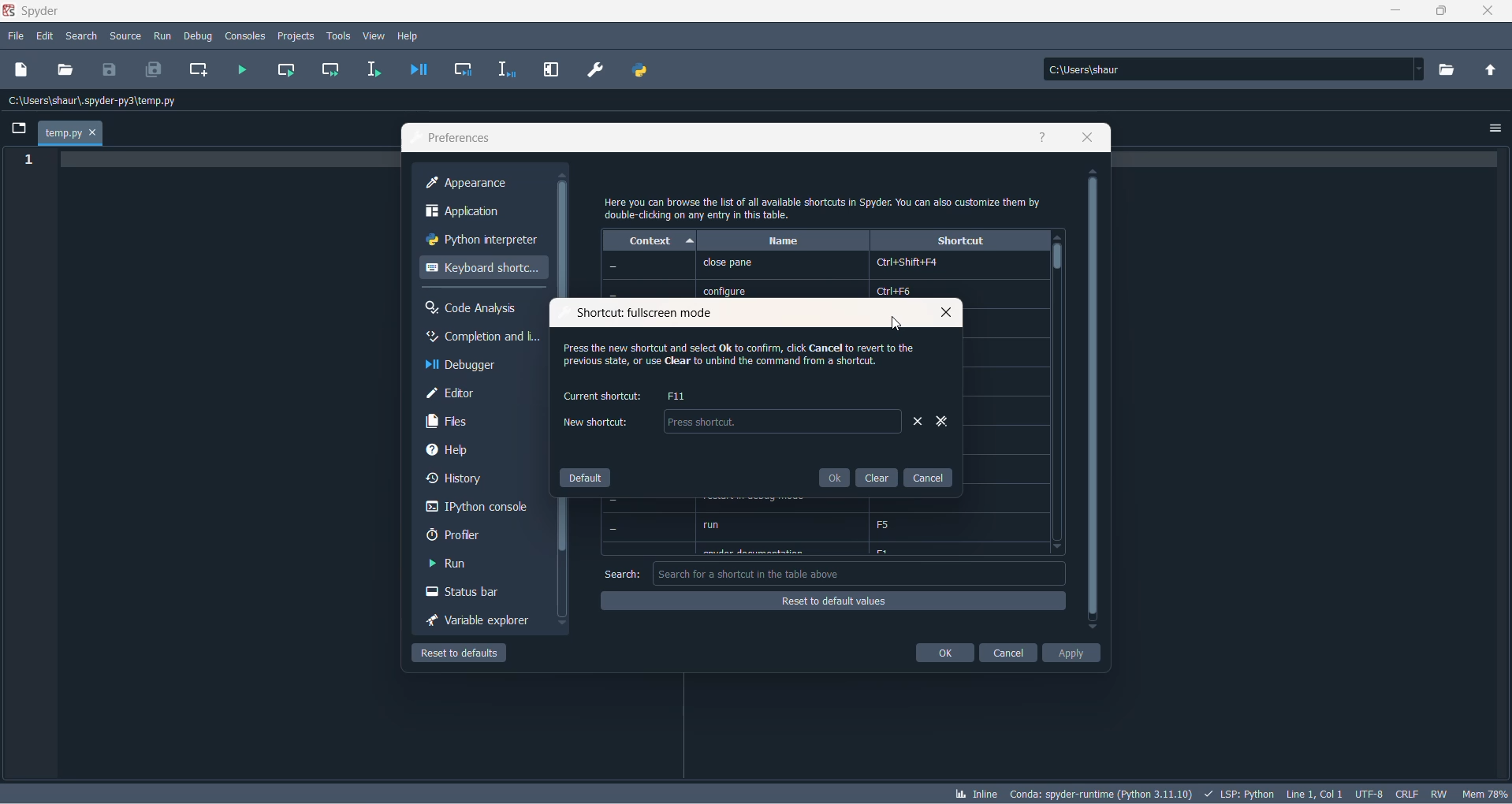  What do you see at coordinates (472, 594) in the screenshot?
I see `status bar` at bounding box center [472, 594].